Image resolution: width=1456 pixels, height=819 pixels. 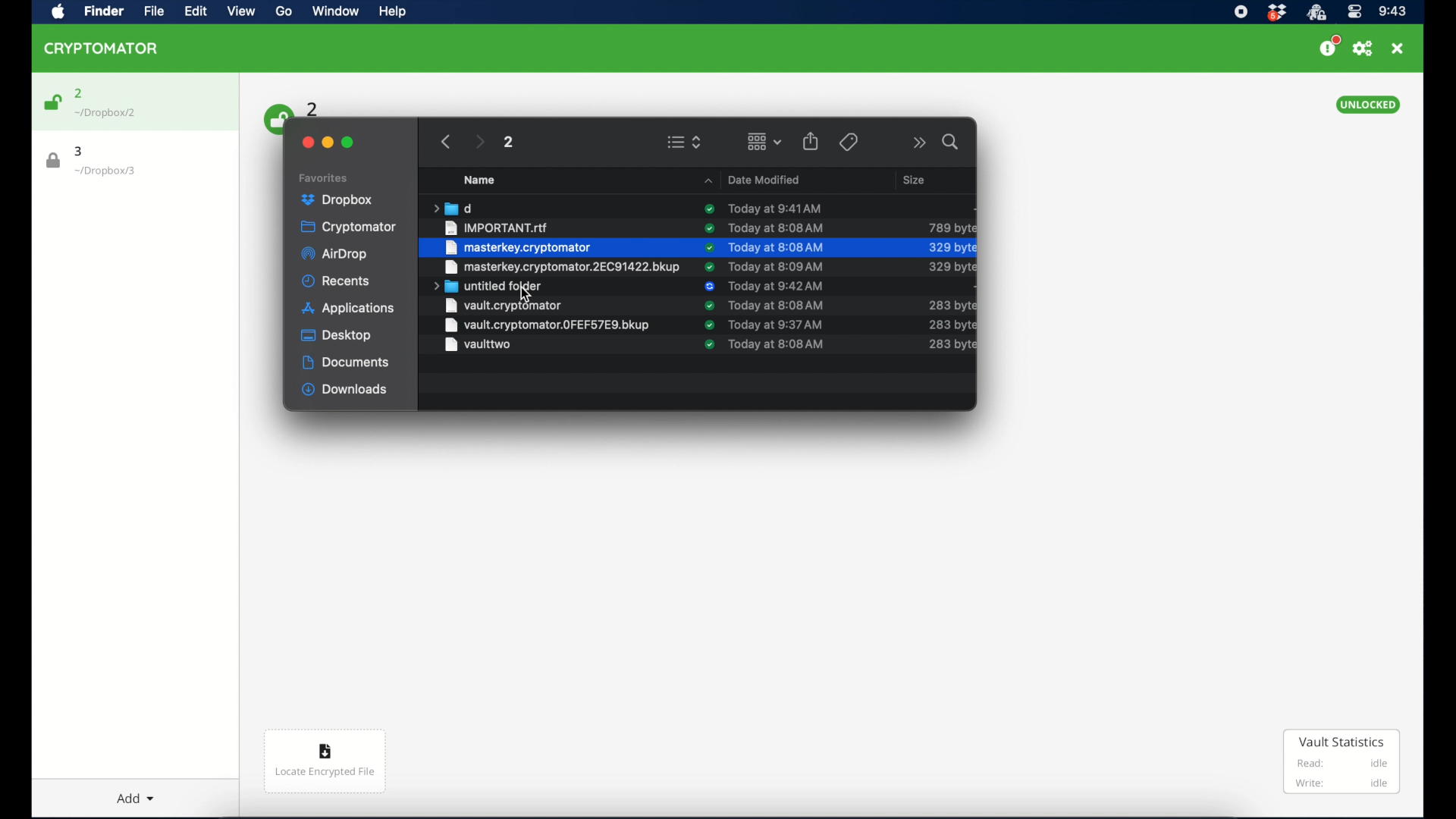 What do you see at coordinates (779, 345) in the screenshot?
I see `Today at 8:08 am` at bounding box center [779, 345].